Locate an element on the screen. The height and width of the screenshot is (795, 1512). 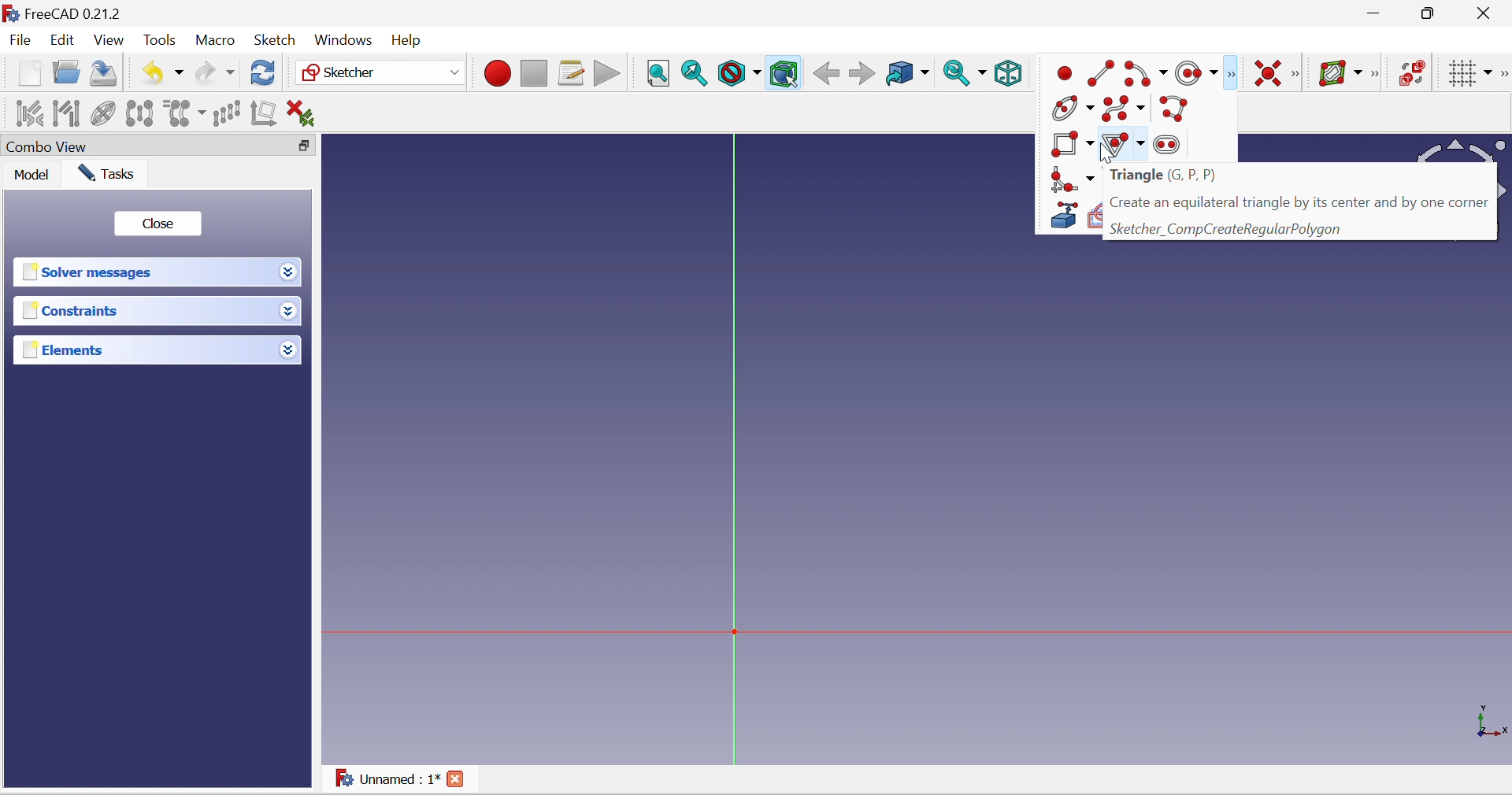
Delete all constraints is located at coordinates (301, 115).